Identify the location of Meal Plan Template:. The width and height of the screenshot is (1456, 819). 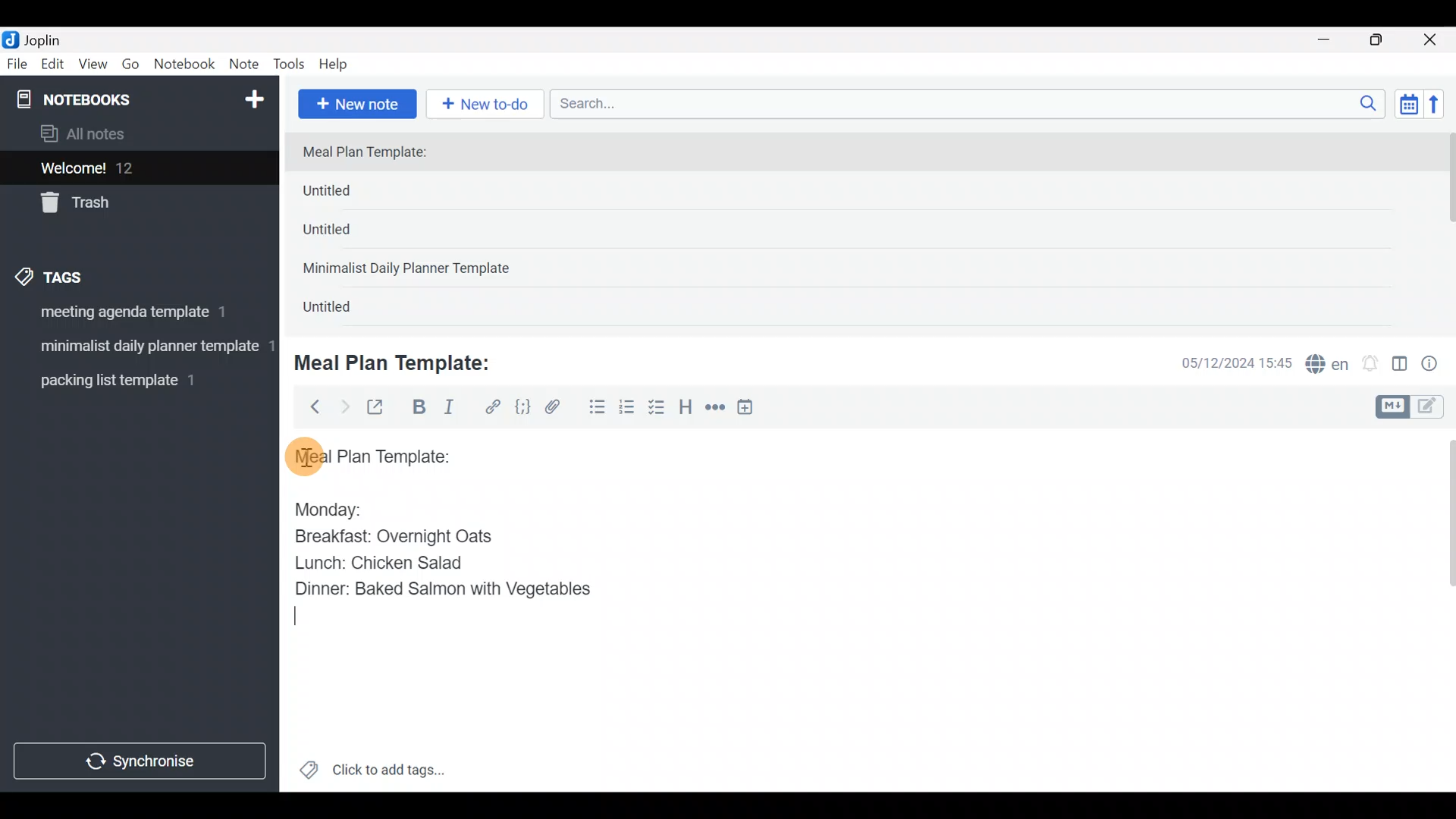
(402, 361).